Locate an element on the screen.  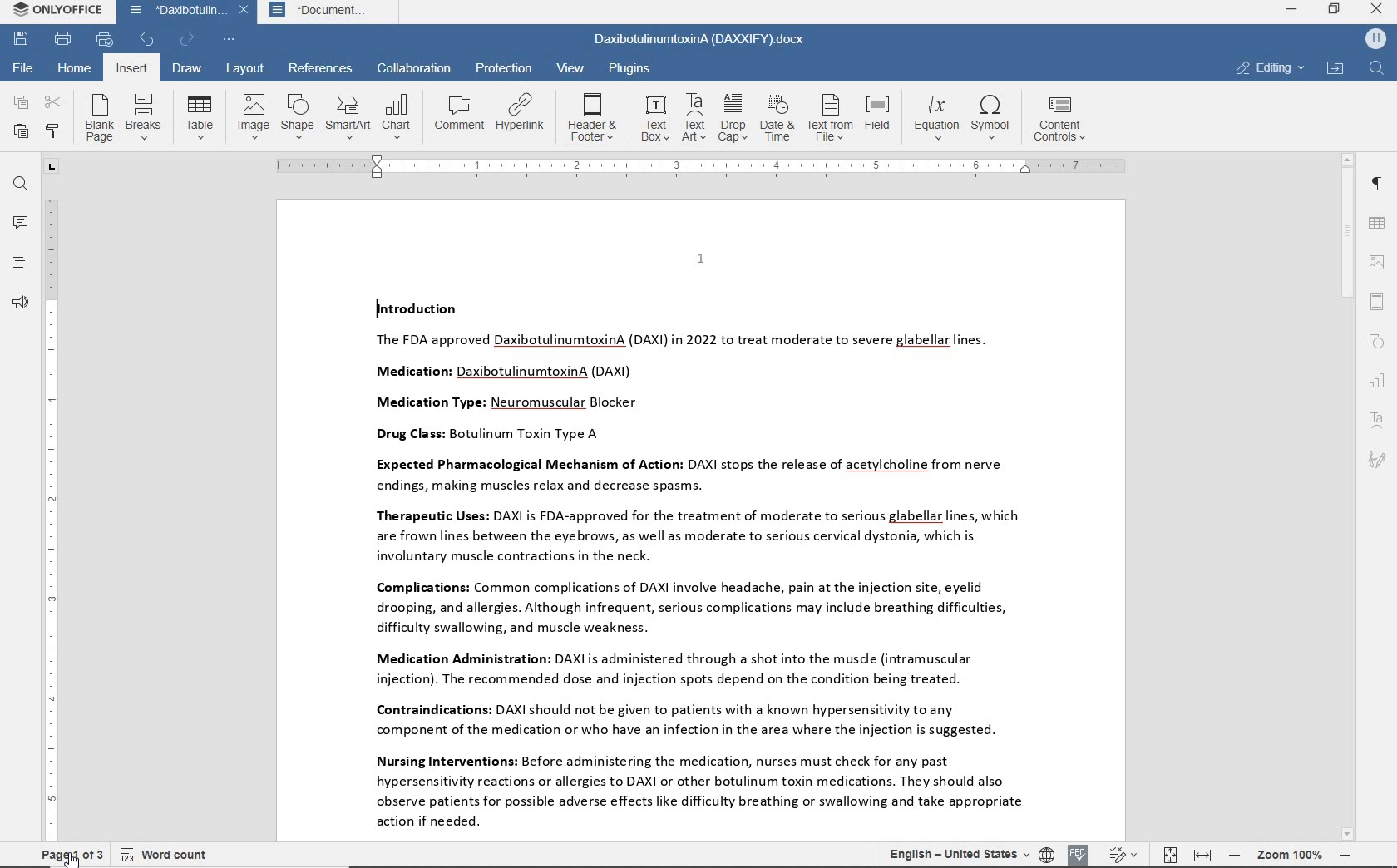
scroll down is located at coordinates (1348, 835).